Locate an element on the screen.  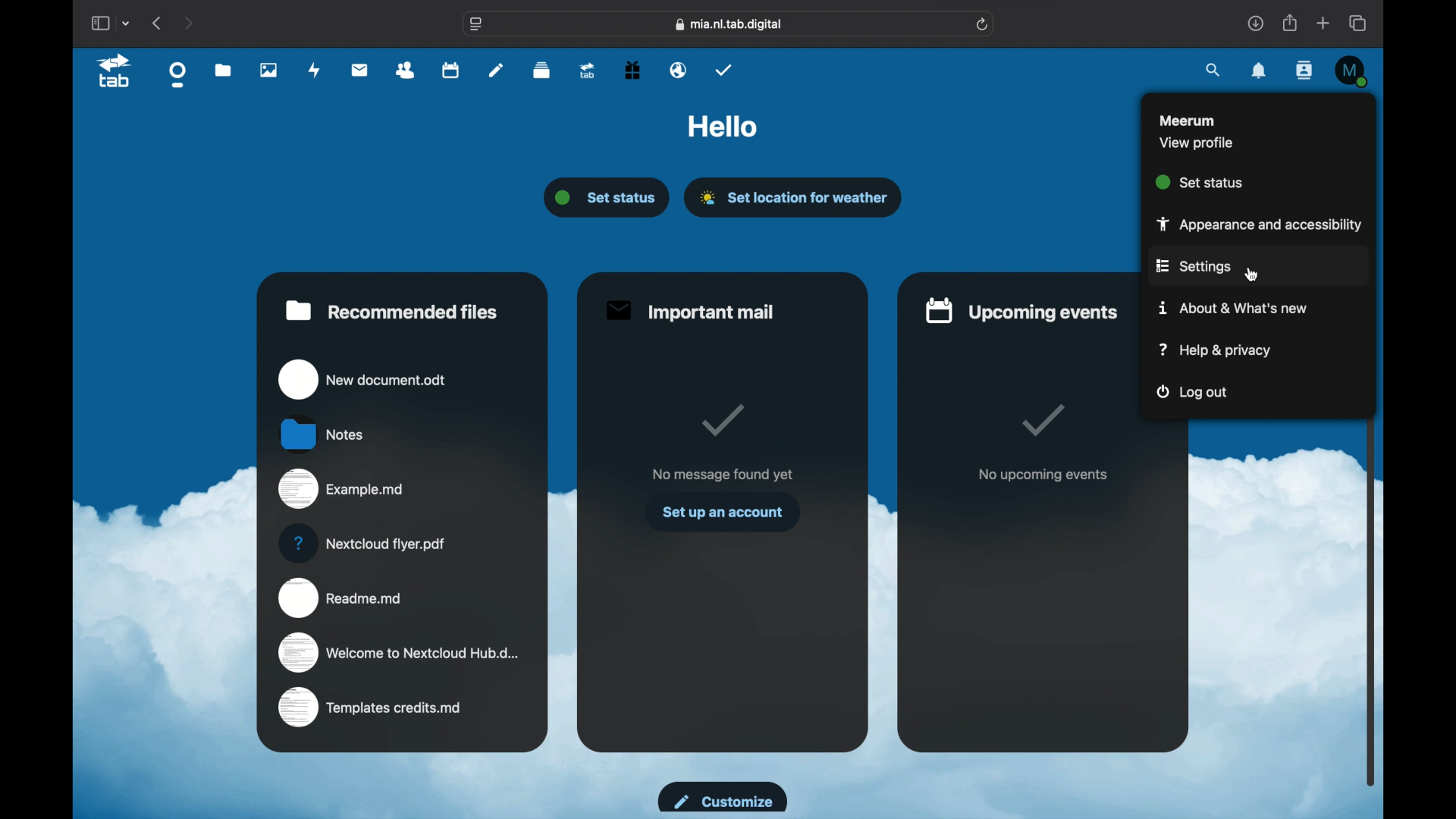
tick mark is located at coordinates (723, 419).